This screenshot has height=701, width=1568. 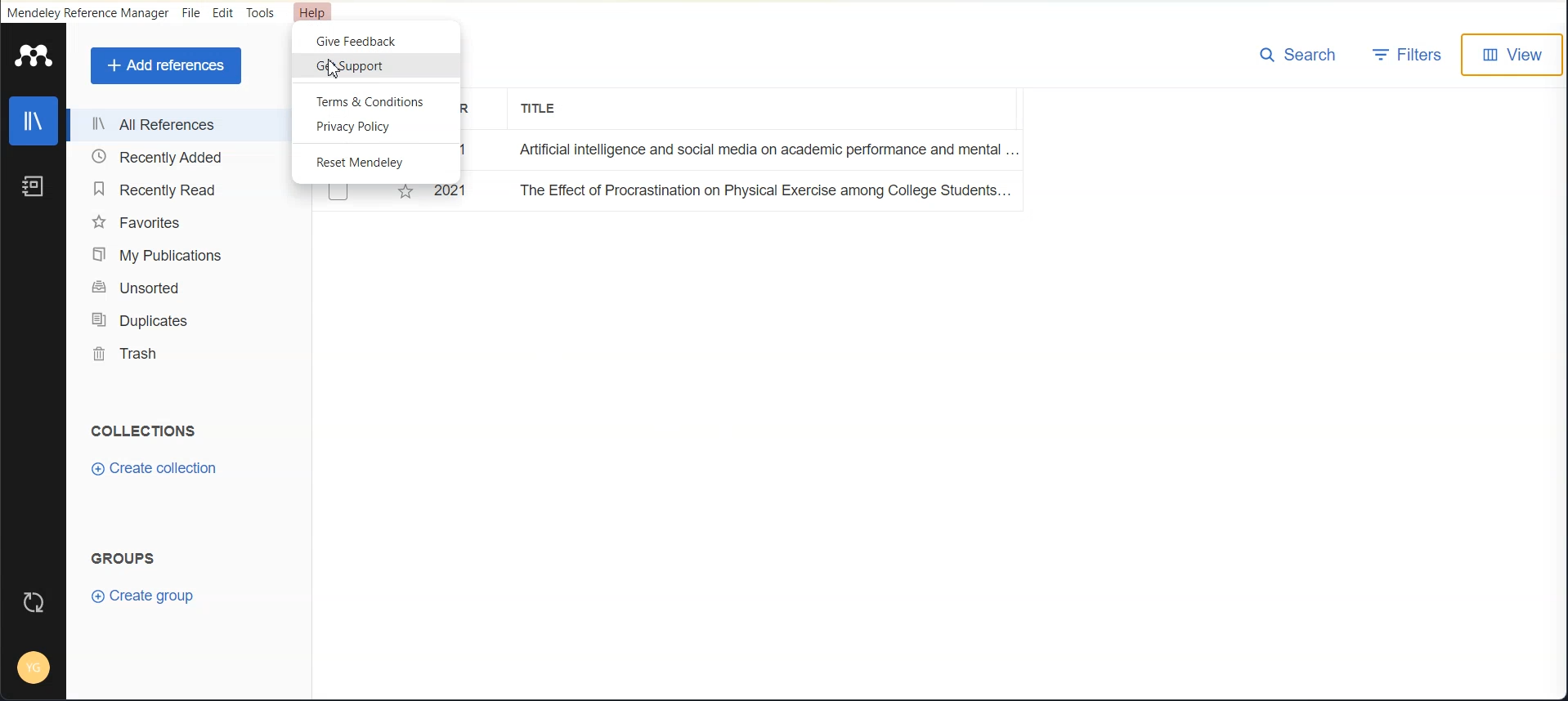 I want to click on Duplicates, so click(x=183, y=320).